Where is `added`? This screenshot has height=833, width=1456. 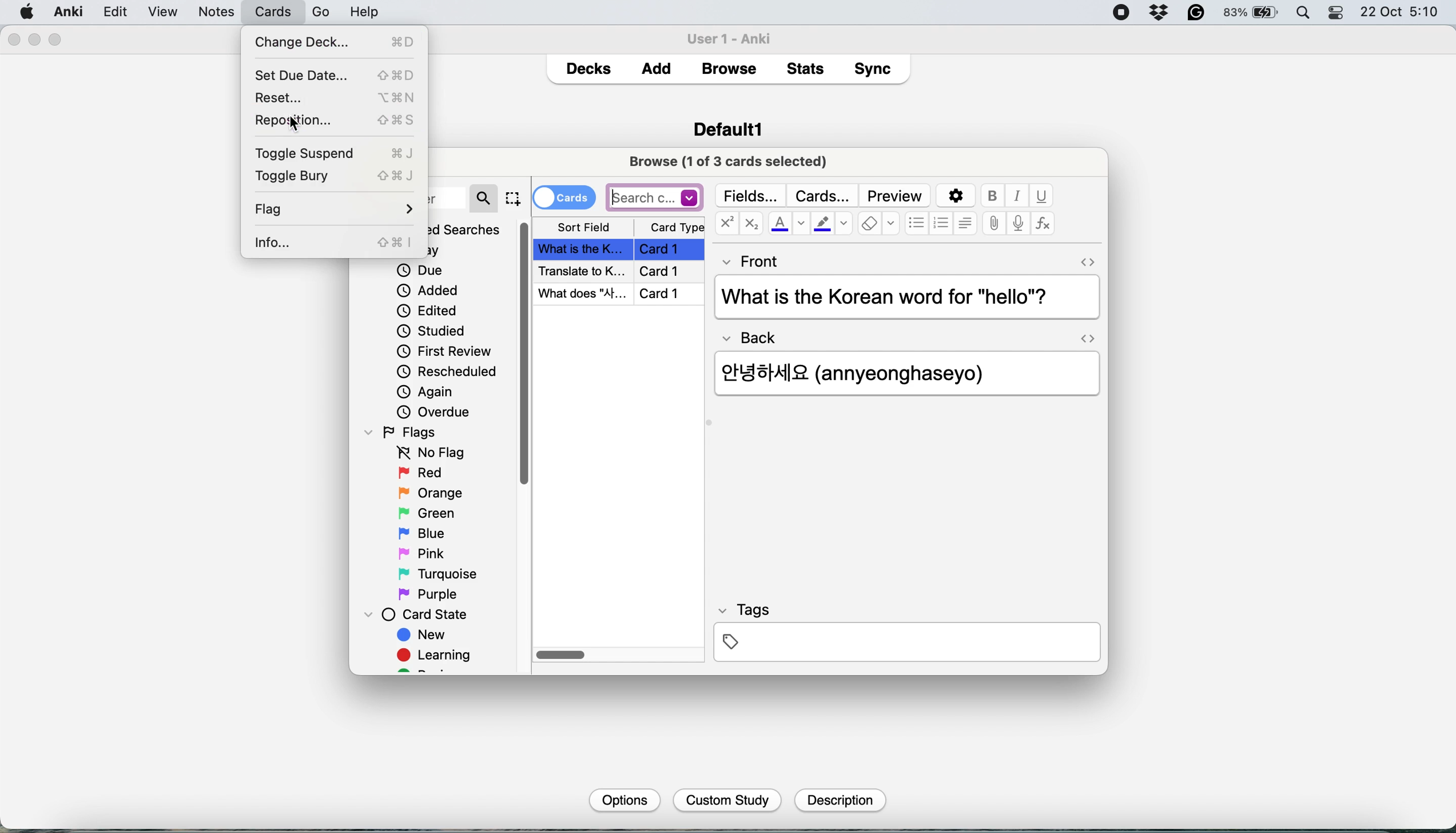
added is located at coordinates (429, 289).